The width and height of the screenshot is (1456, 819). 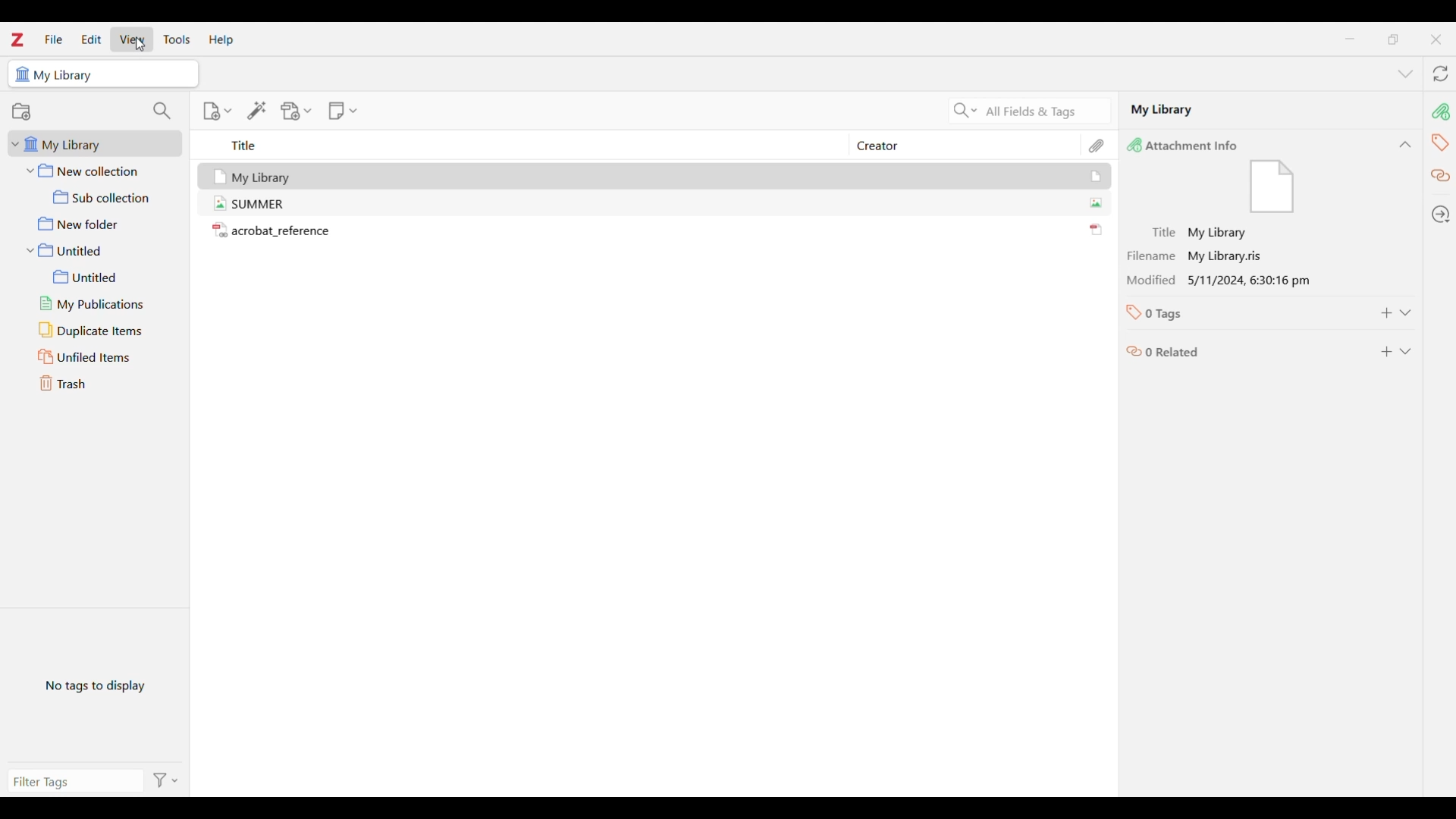 What do you see at coordinates (518, 145) in the screenshot?
I see `Title column` at bounding box center [518, 145].